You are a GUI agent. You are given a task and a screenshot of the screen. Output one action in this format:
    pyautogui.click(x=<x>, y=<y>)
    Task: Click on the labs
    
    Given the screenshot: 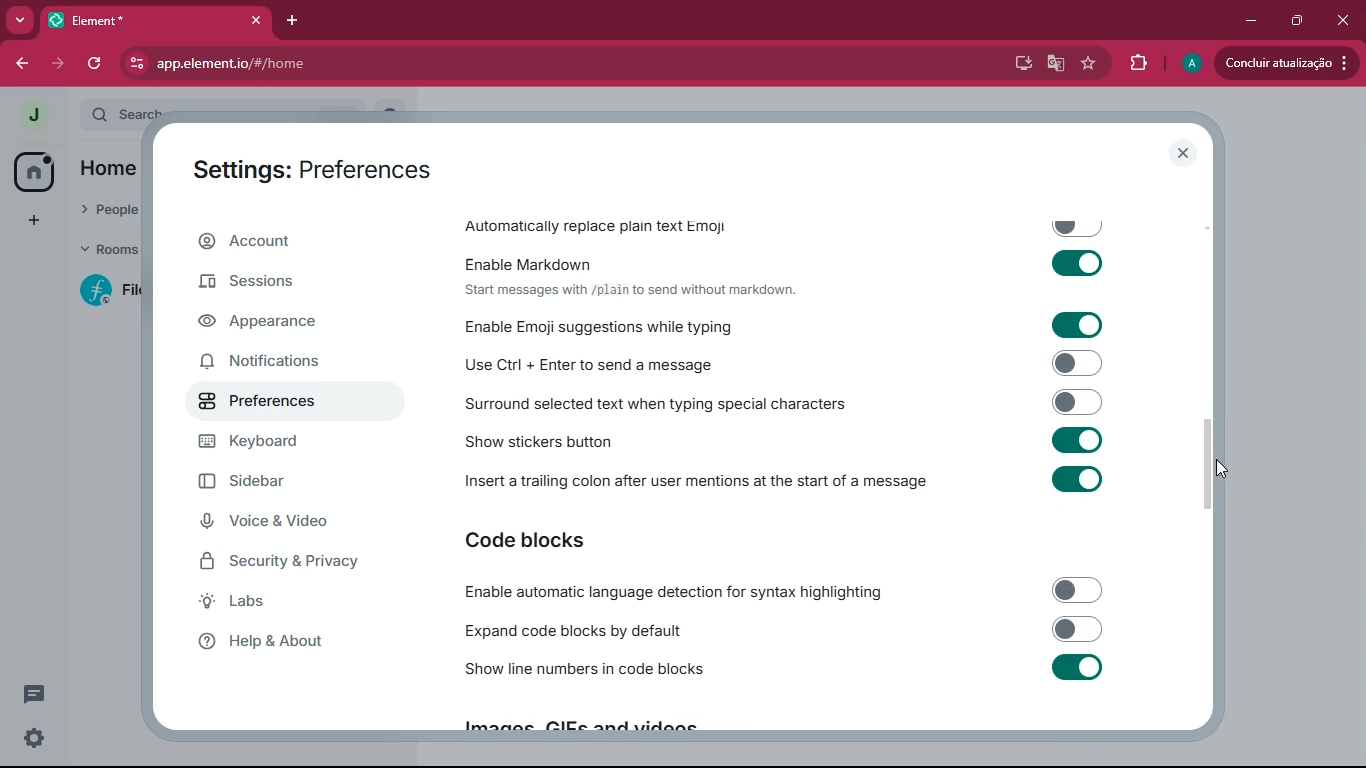 What is the action you would take?
    pyautogui.click(x=289, y=605)
    